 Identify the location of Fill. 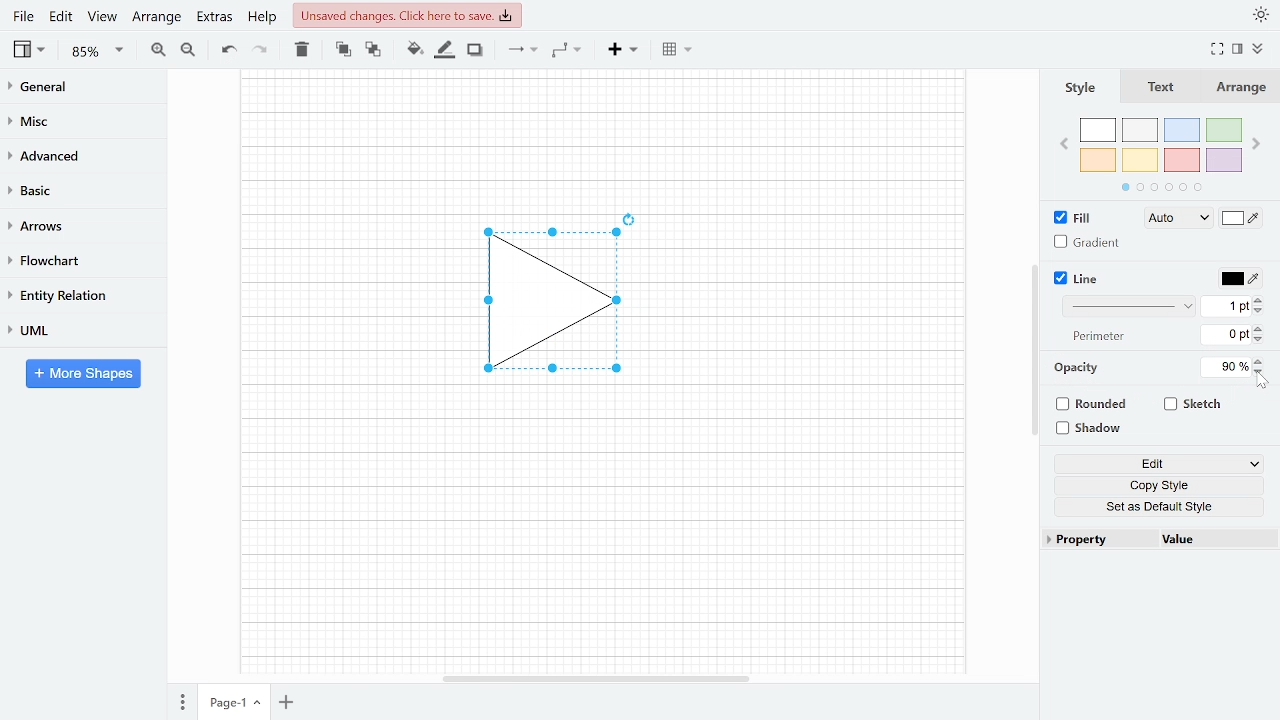
(1078, 218).